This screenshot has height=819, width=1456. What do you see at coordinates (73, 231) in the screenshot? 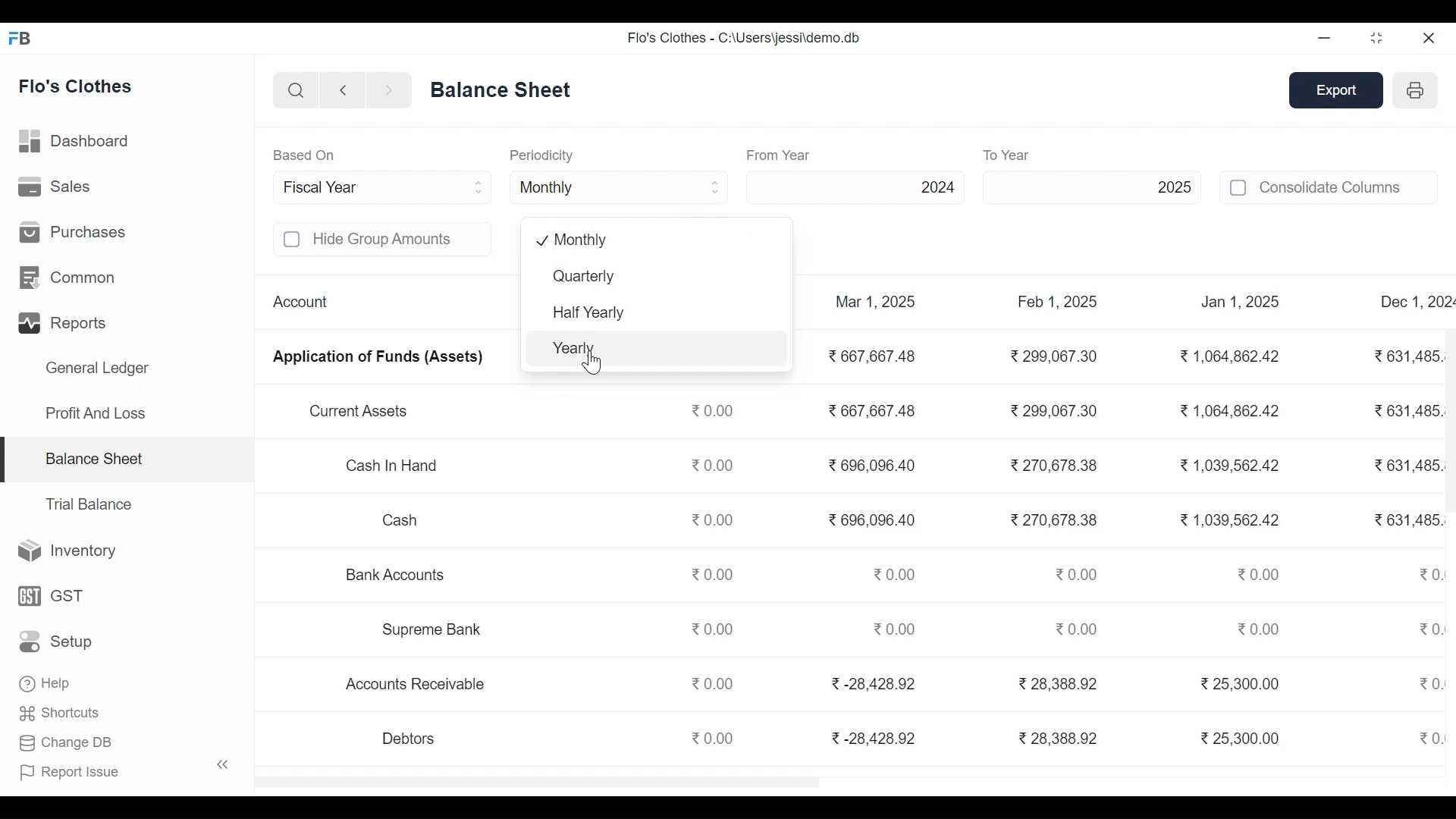
I see `Purchases ` at bounding box center [73, 231].